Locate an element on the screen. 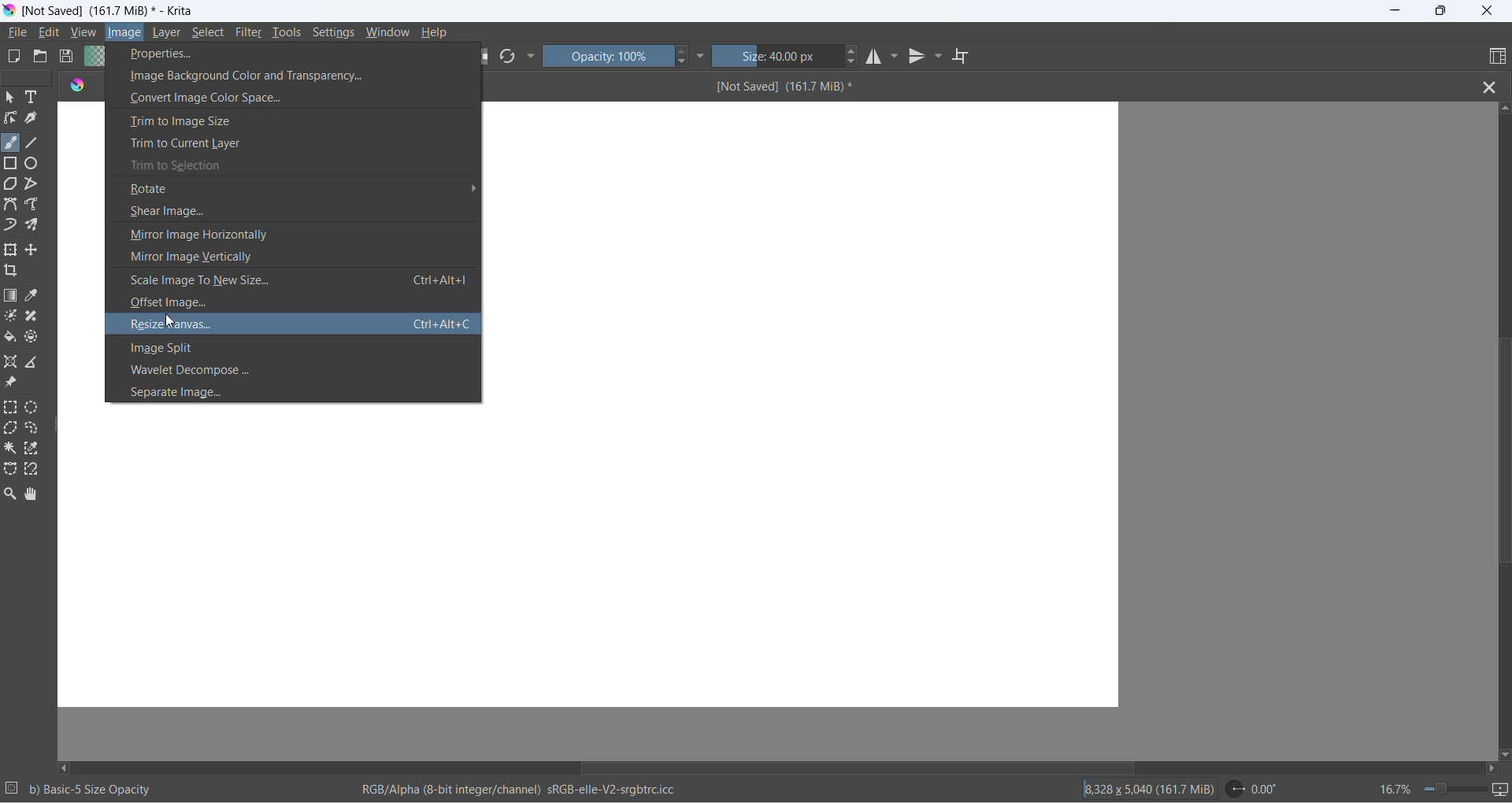  magnetic curve selection tool is located at coordinates (35, 471).